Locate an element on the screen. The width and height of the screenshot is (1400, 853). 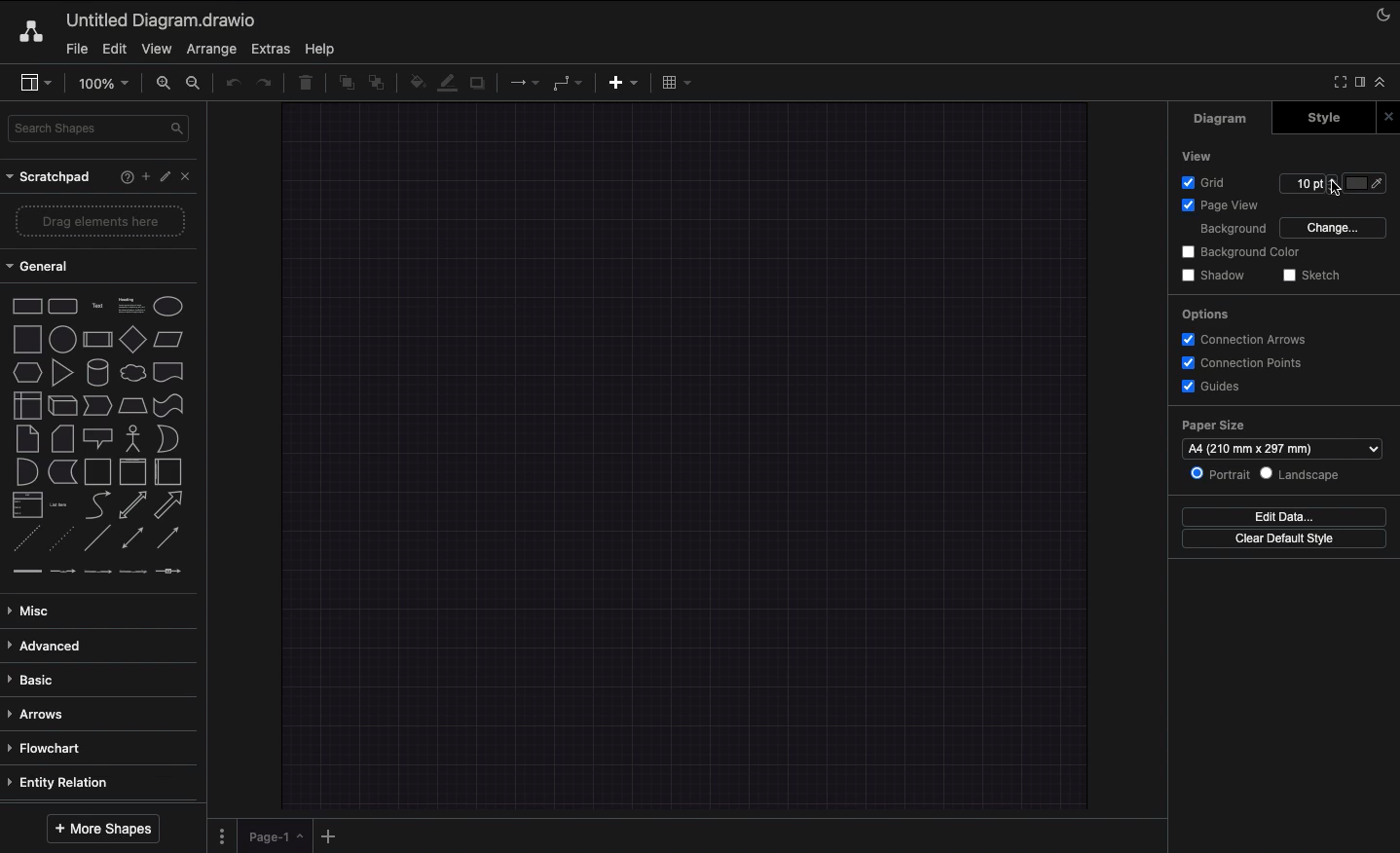
Format is located at coordinates (1359, 82).